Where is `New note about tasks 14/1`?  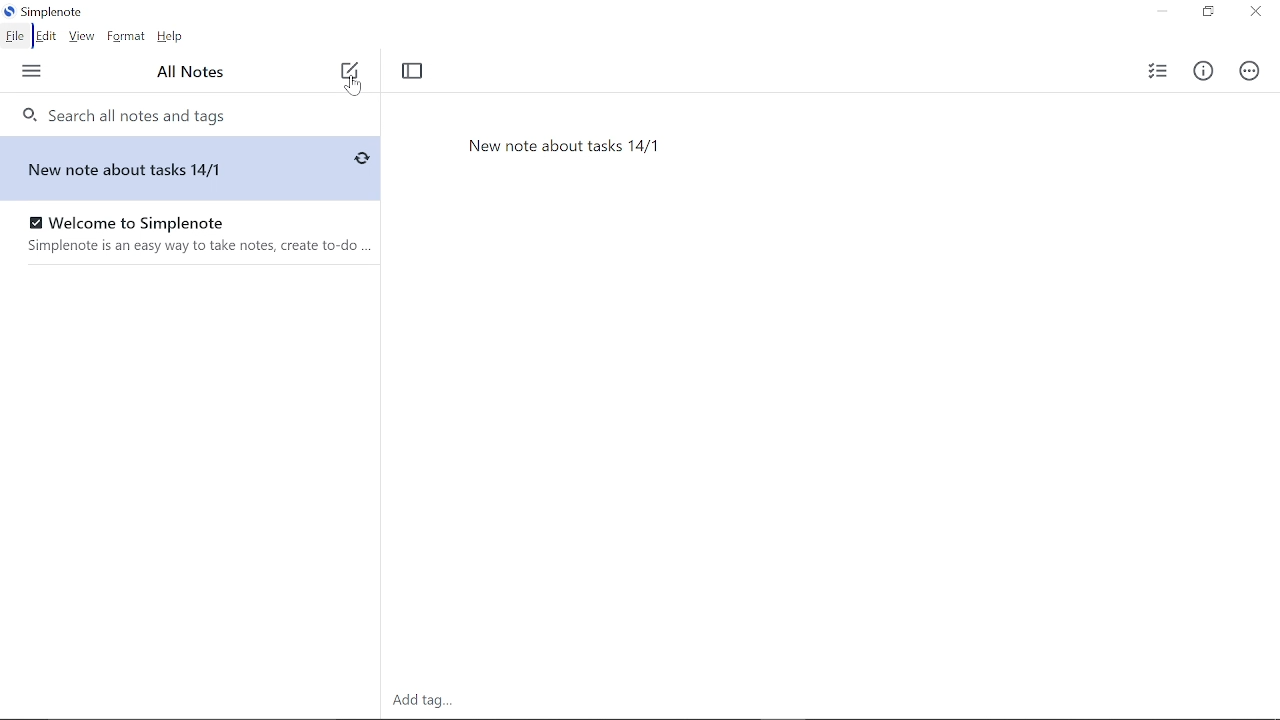 New note about tasks 14/1 is located at coordinates (810, 177).